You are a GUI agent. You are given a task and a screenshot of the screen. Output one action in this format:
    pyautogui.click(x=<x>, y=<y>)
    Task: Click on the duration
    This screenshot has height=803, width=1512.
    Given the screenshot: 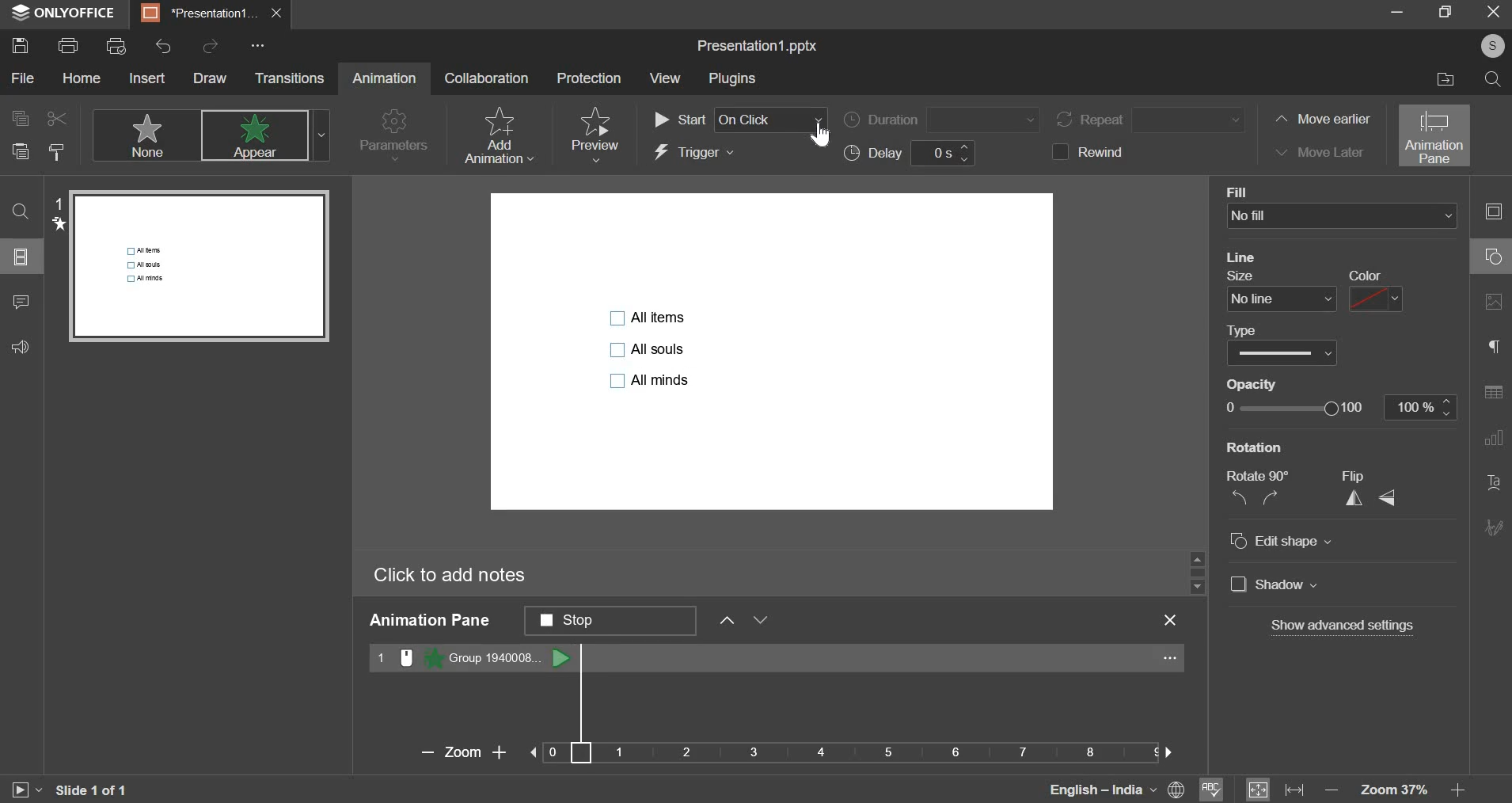 What is the action you would take?
    pyautogui.click(x=940, y=120)
    